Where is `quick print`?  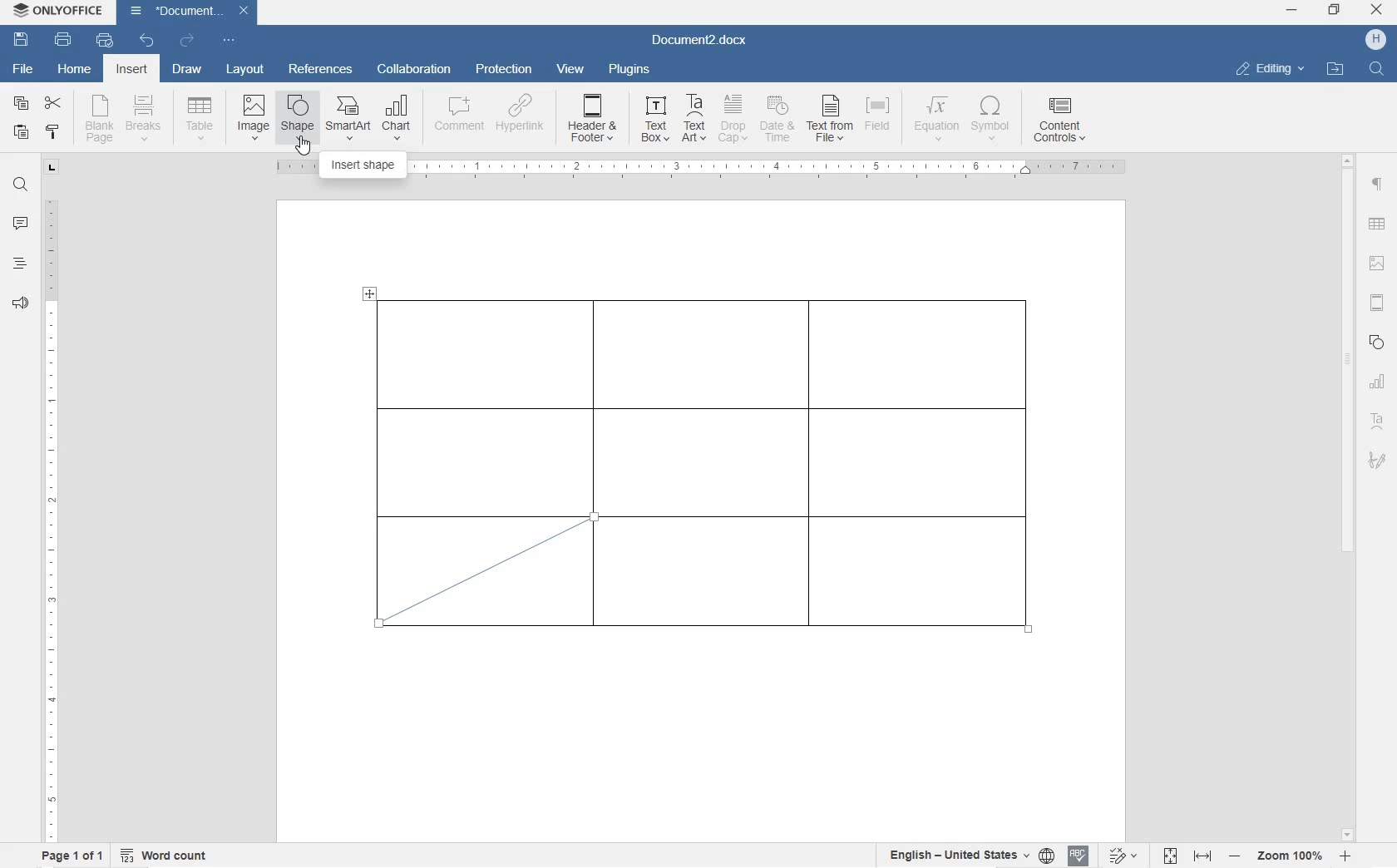 quick print is located at coordinates (105, 40).